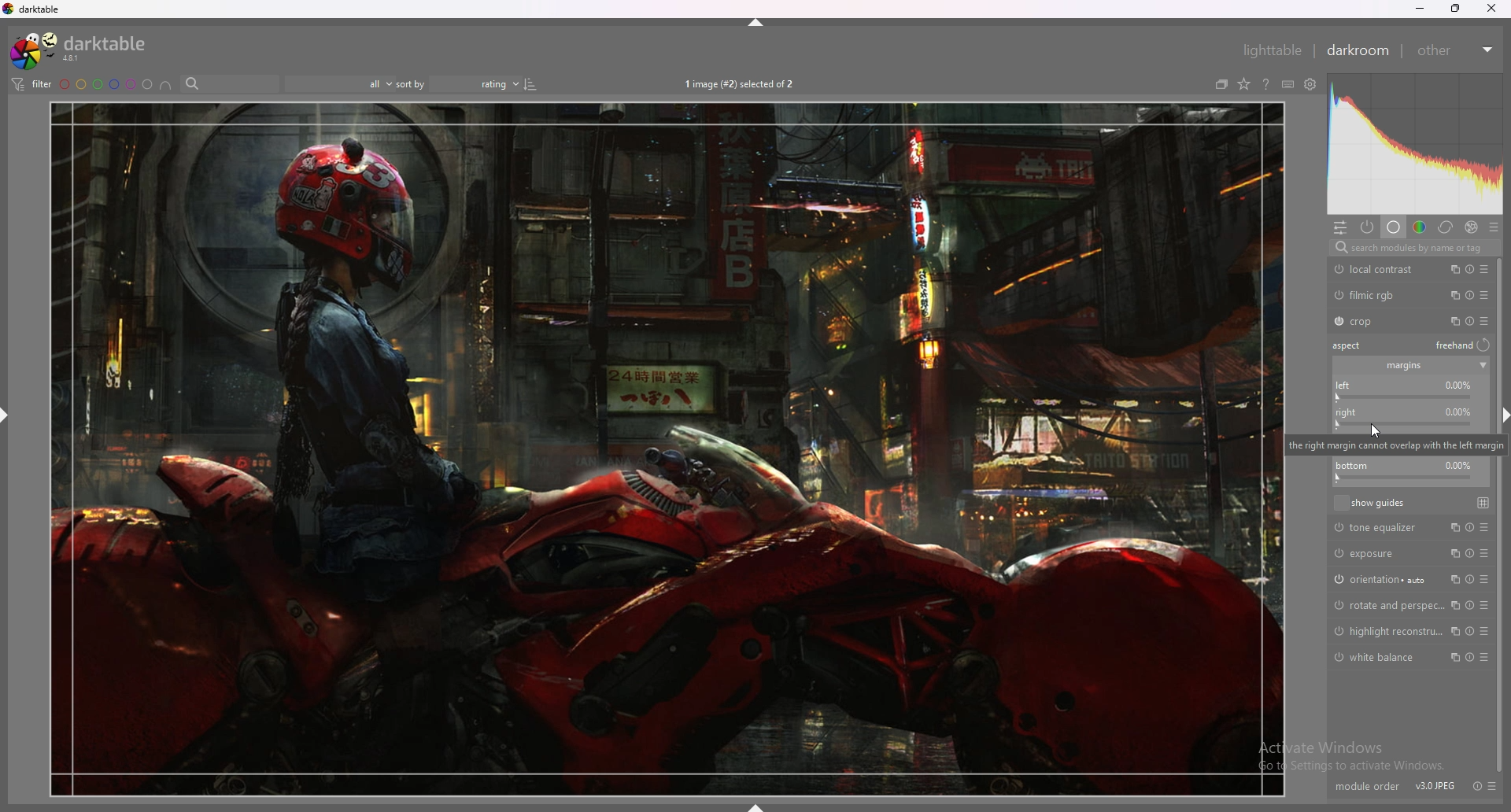  What do you see at coordinates (1499, 515) in the screenshot?
I see `scroll bar` at bounding box center [1499, 515].